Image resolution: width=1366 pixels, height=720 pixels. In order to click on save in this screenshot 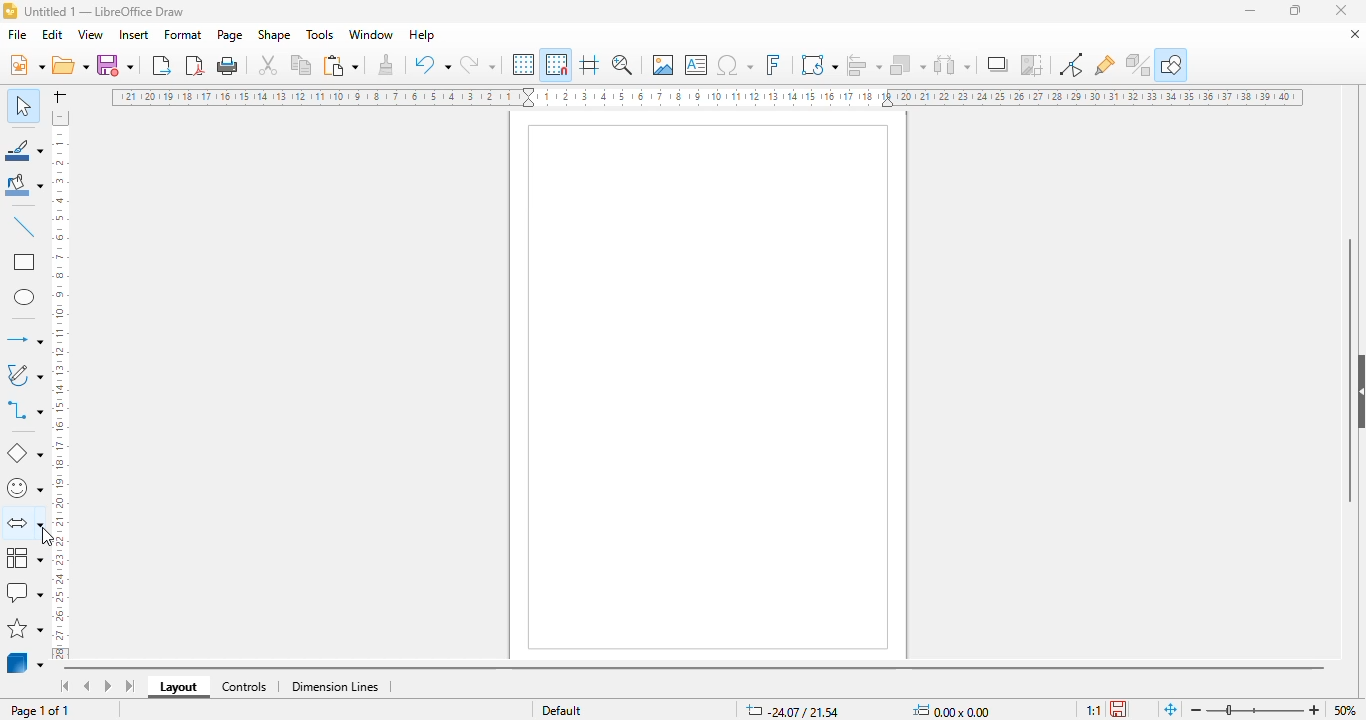, I will do `click(115, 65)`.